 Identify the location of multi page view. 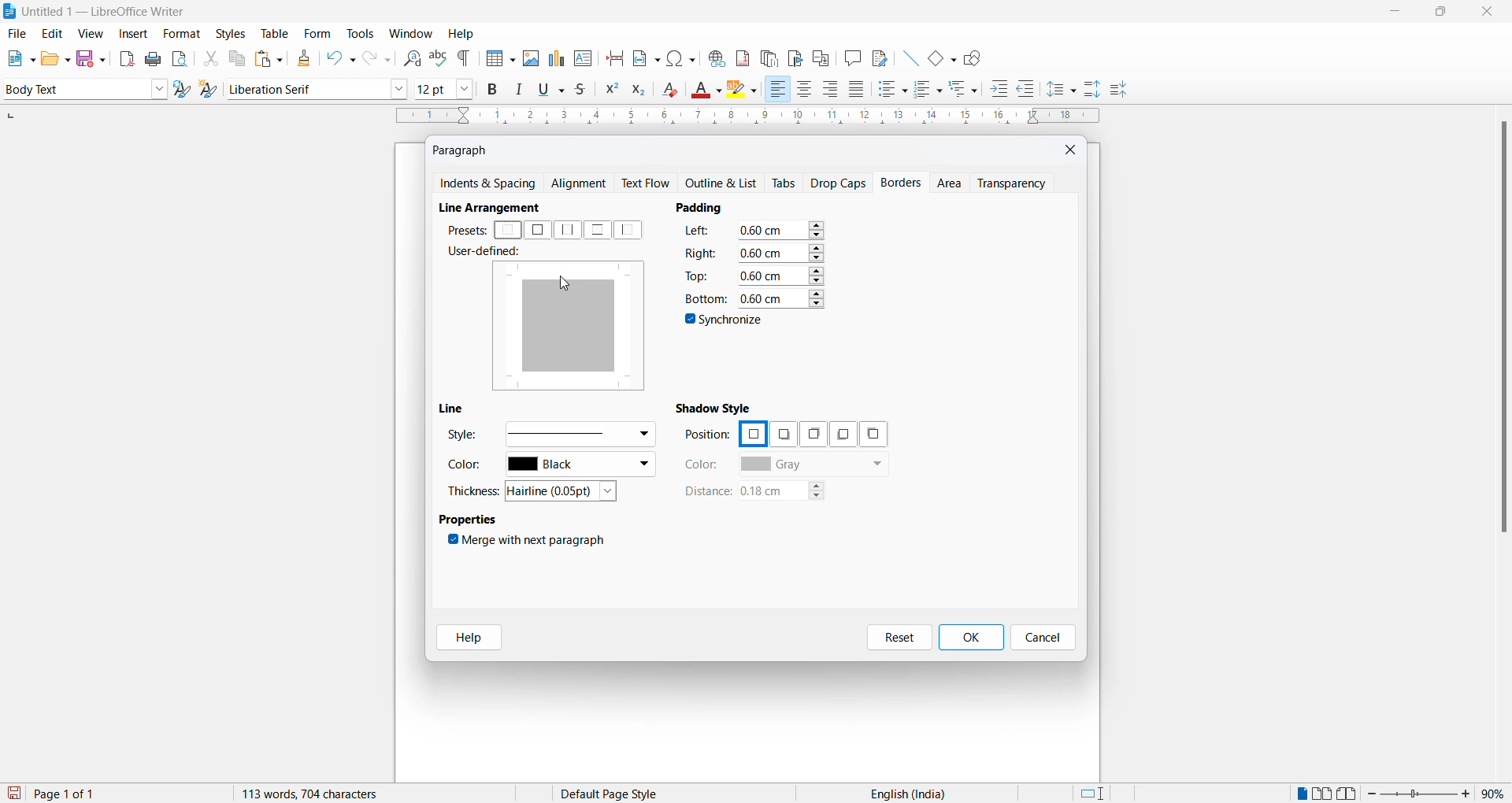
(1324, 794).